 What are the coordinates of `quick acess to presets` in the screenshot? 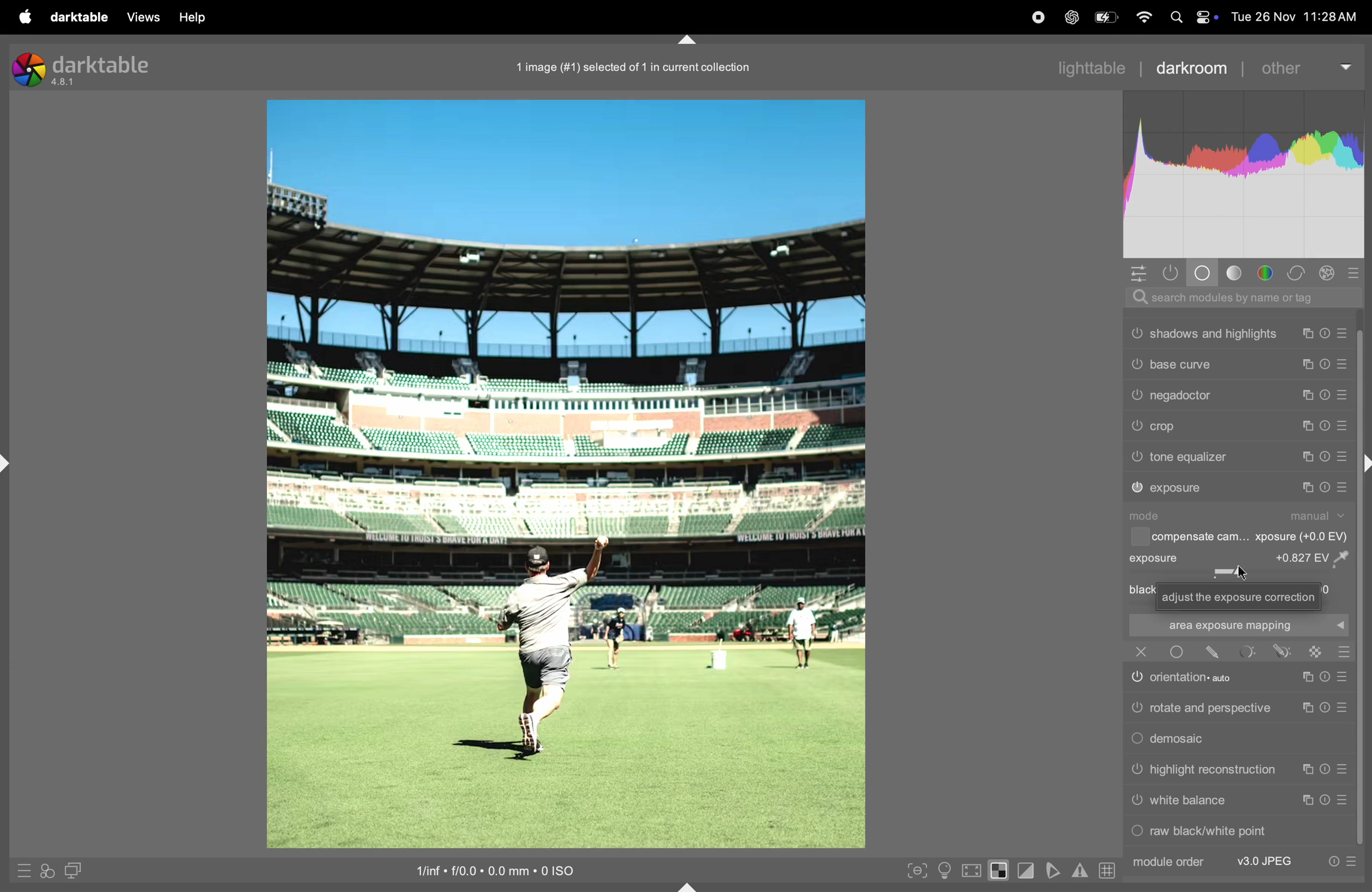 It's located at (21, 870).